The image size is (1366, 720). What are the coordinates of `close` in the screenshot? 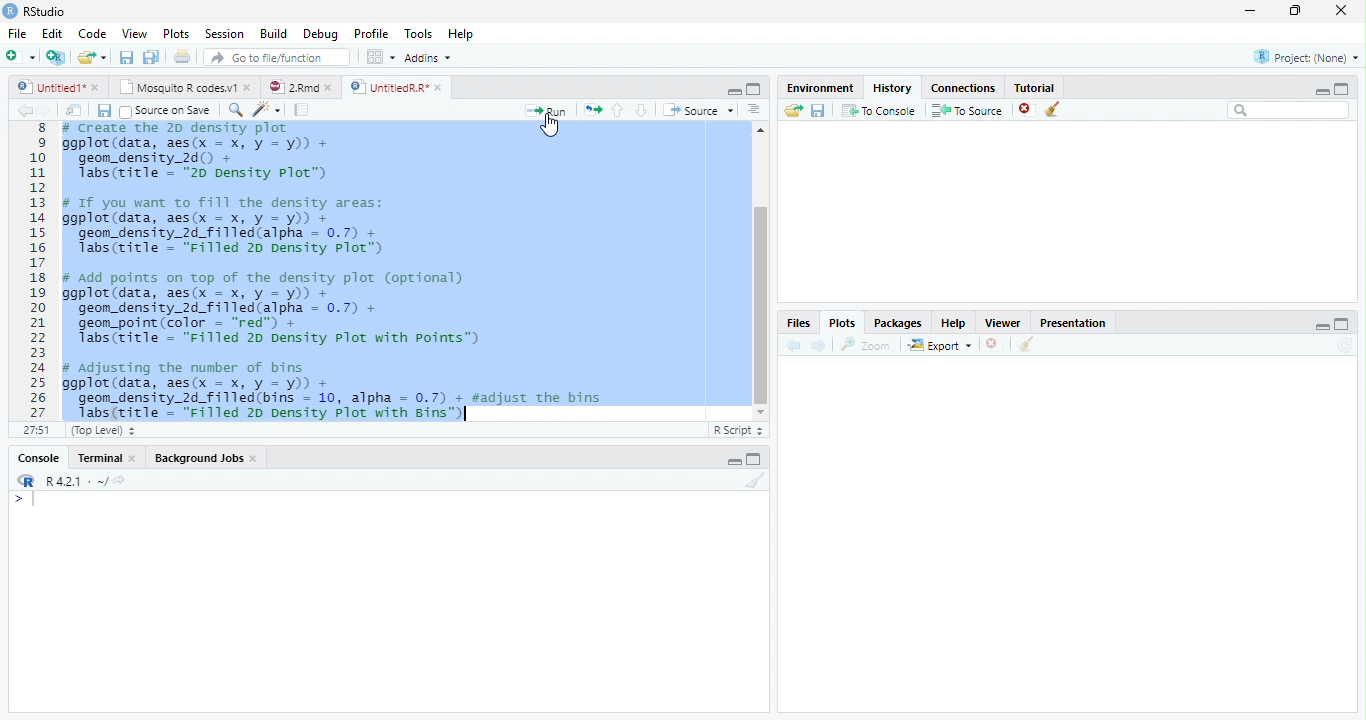 It's located at (250, 88).